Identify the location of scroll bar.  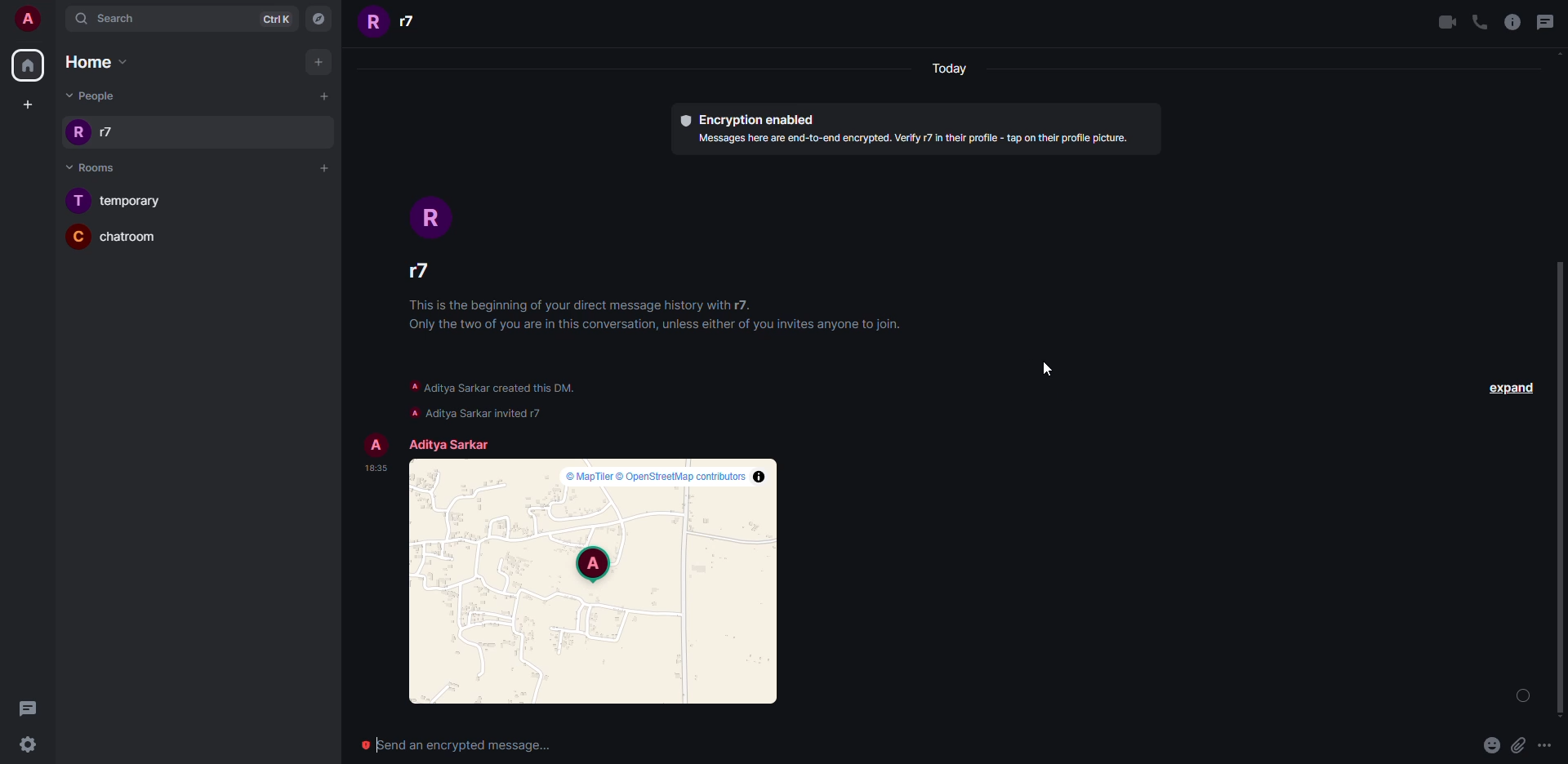
(1557, 486).